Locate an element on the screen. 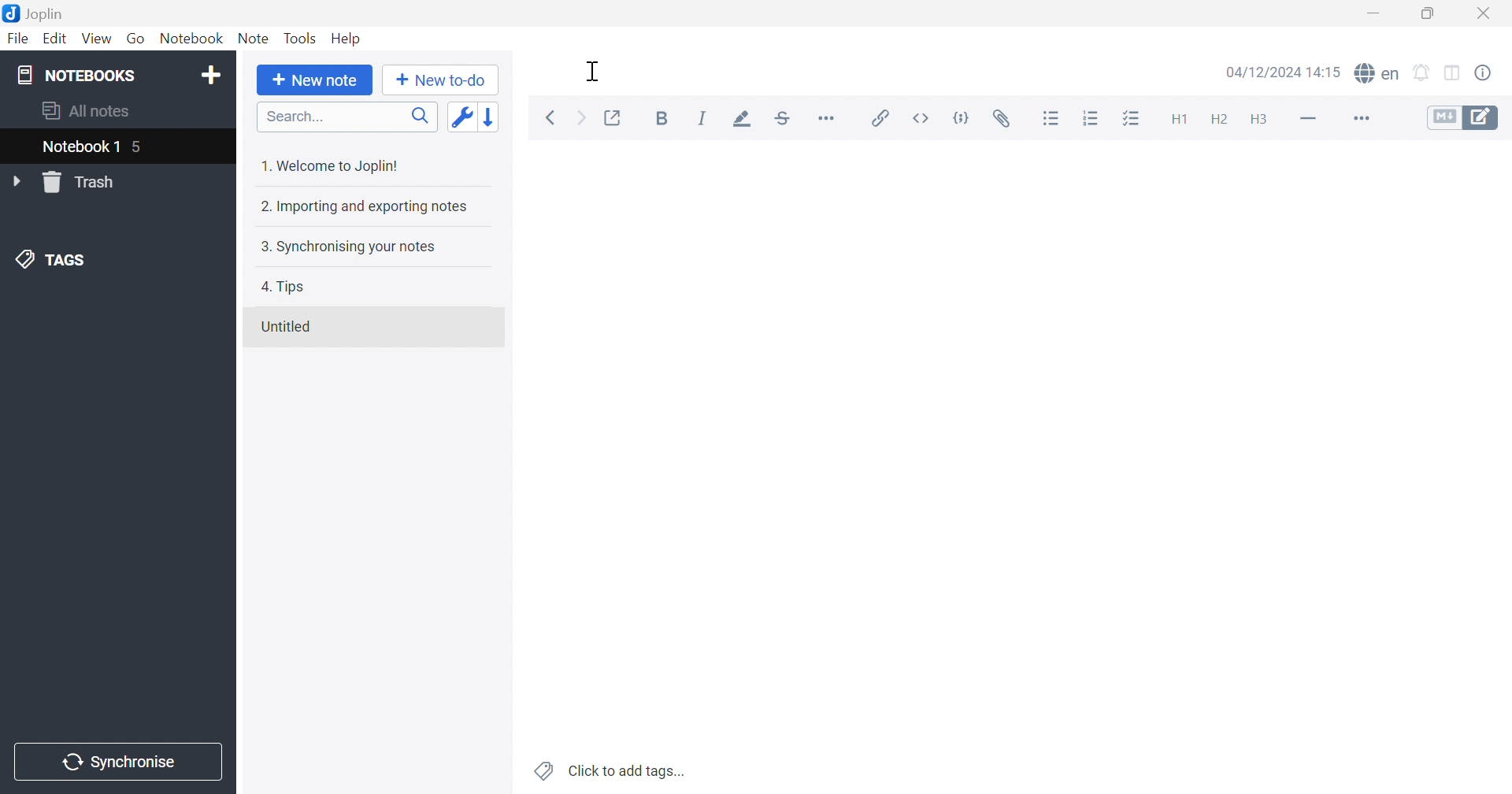 This screenshot has height=794, width=1512. Horizontal line is located at coordinates (1310, 117).